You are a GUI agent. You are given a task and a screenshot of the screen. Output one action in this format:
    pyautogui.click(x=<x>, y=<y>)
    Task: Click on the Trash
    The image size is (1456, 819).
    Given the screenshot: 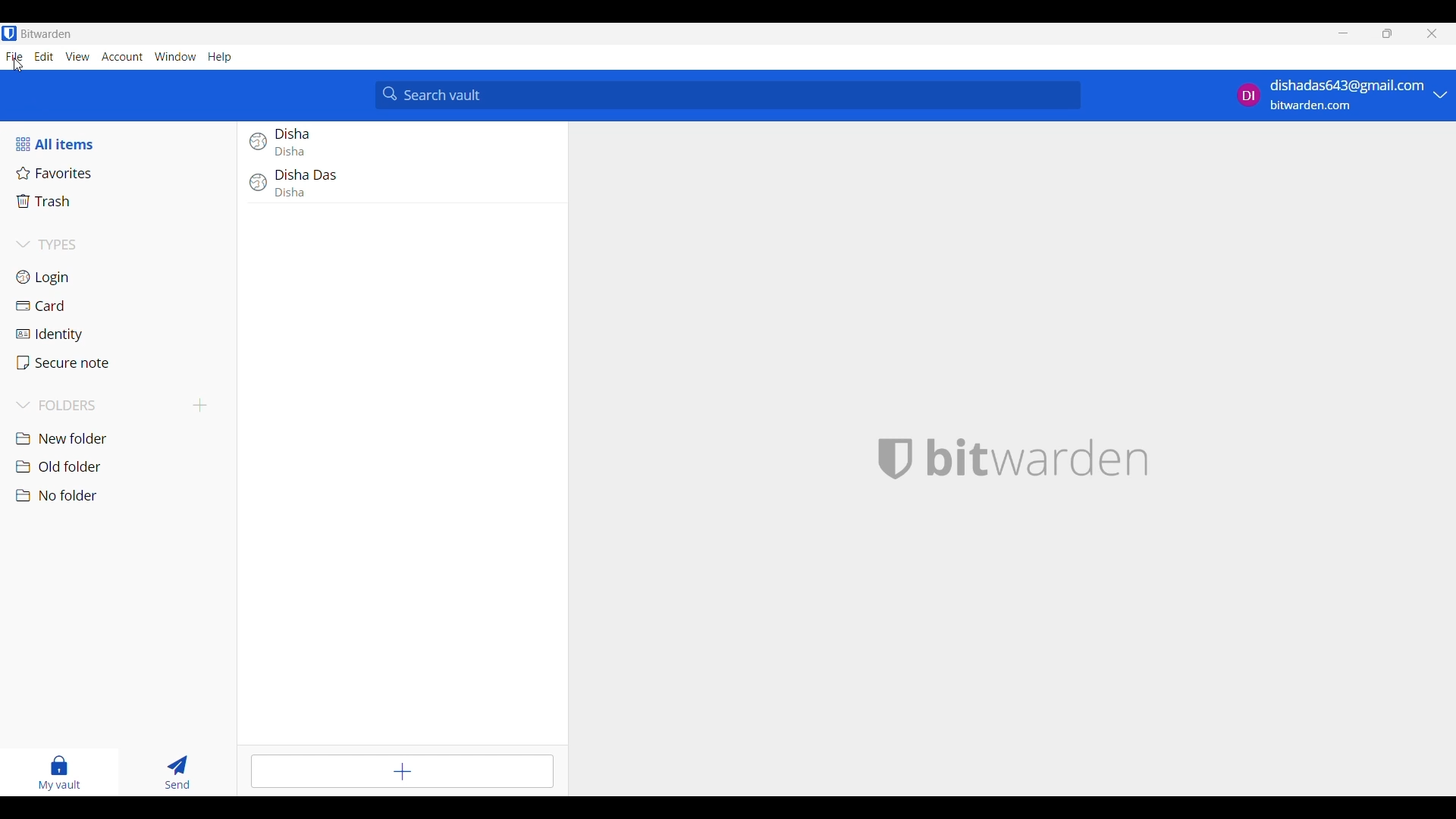 What is the action you would take?
    pyautogui.click(x=122, y=201)
    